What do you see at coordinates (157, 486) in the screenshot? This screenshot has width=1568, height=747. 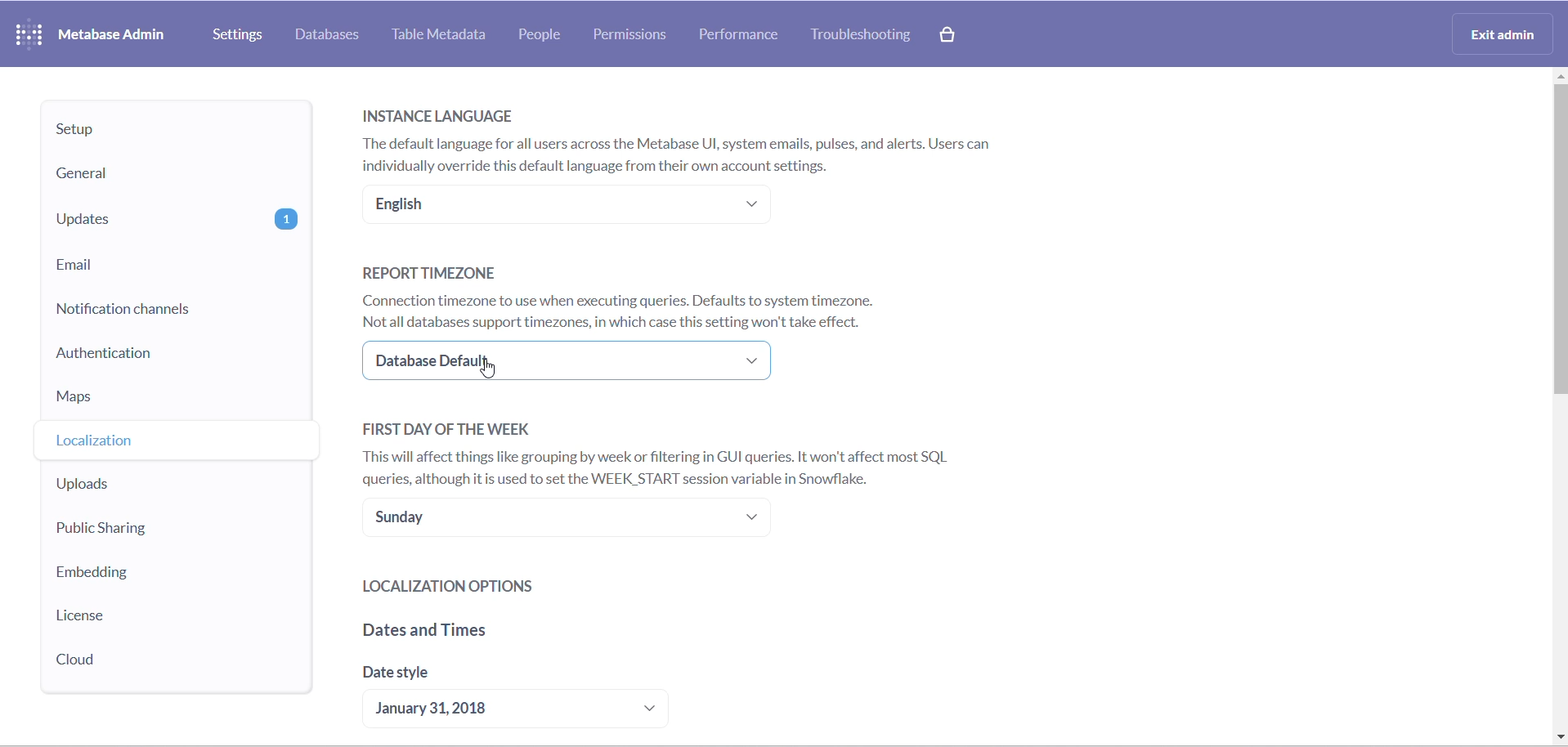 I see `UPLOADS` at bounding box center [157, 486].